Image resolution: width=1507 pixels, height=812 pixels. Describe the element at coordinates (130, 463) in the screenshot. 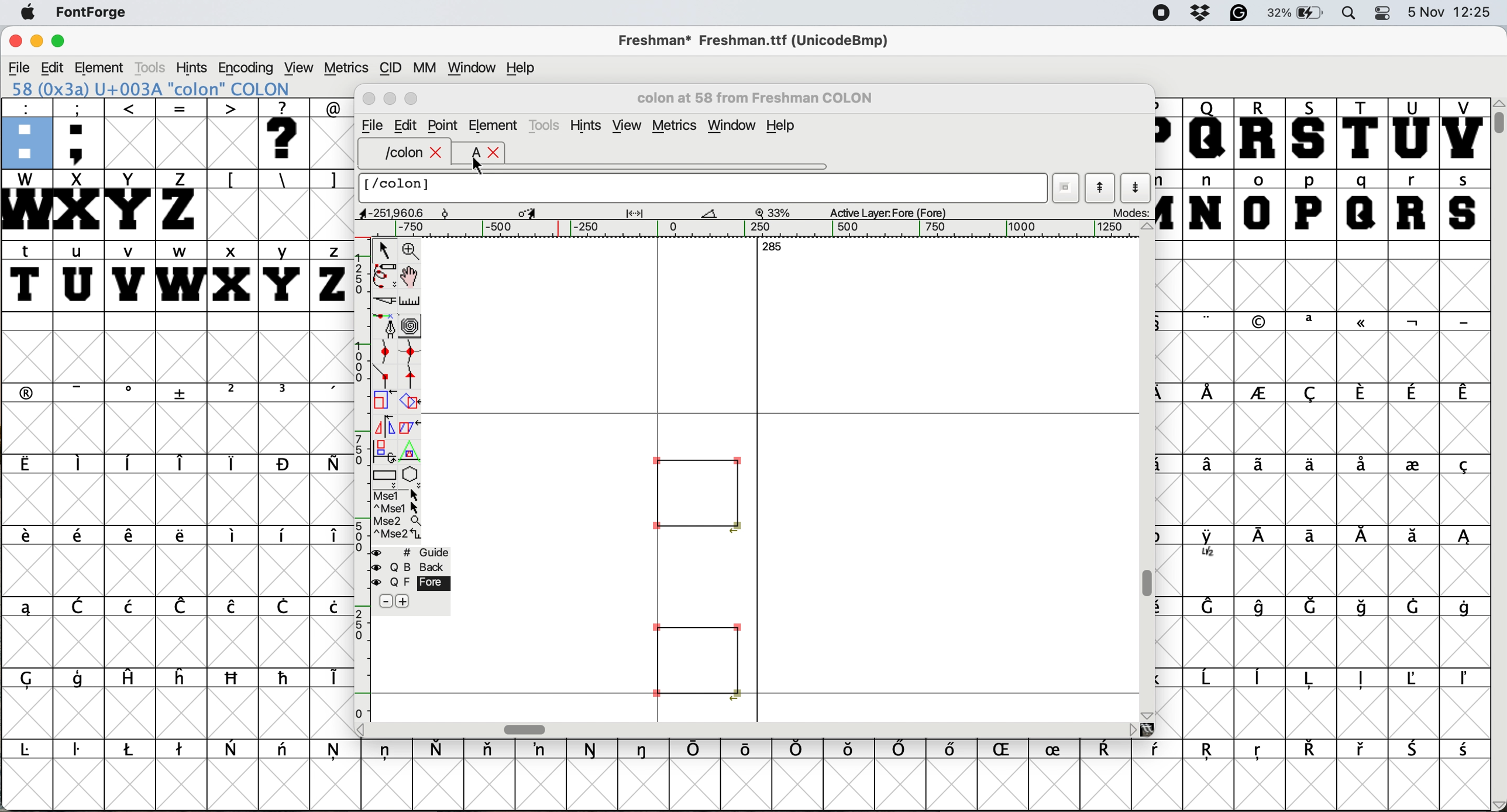

I see `symbol` at that location.